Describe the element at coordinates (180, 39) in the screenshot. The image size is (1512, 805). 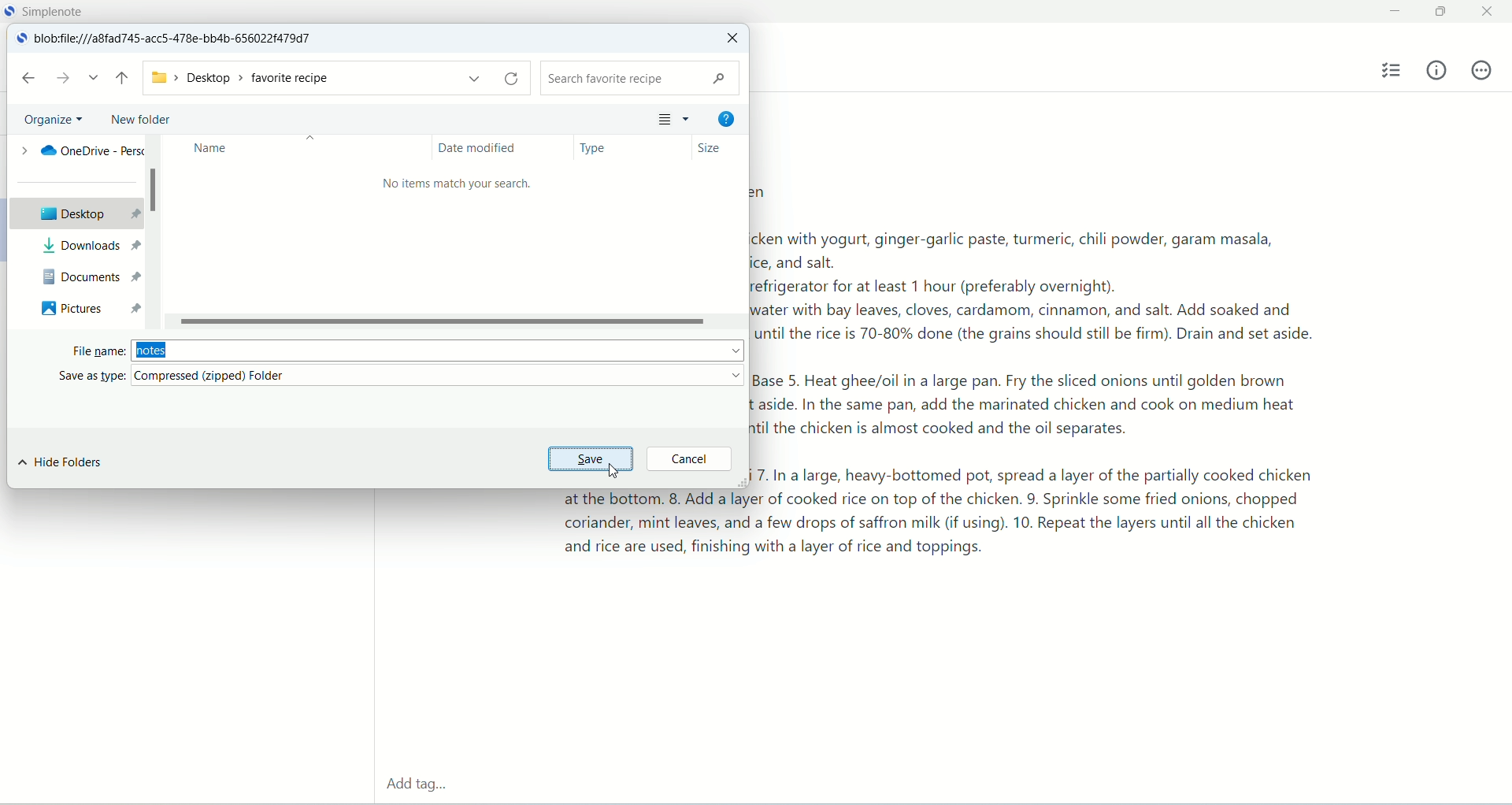
I see `location` at that location.